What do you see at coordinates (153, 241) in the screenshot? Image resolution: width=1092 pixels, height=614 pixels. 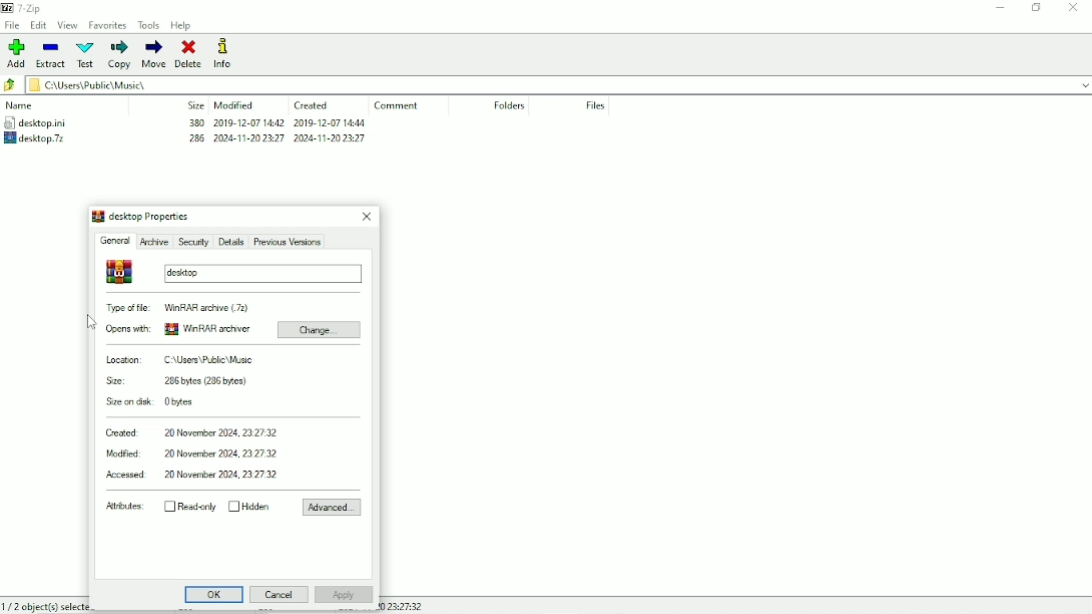 I see `Archive` at bounding box center [153, 241].